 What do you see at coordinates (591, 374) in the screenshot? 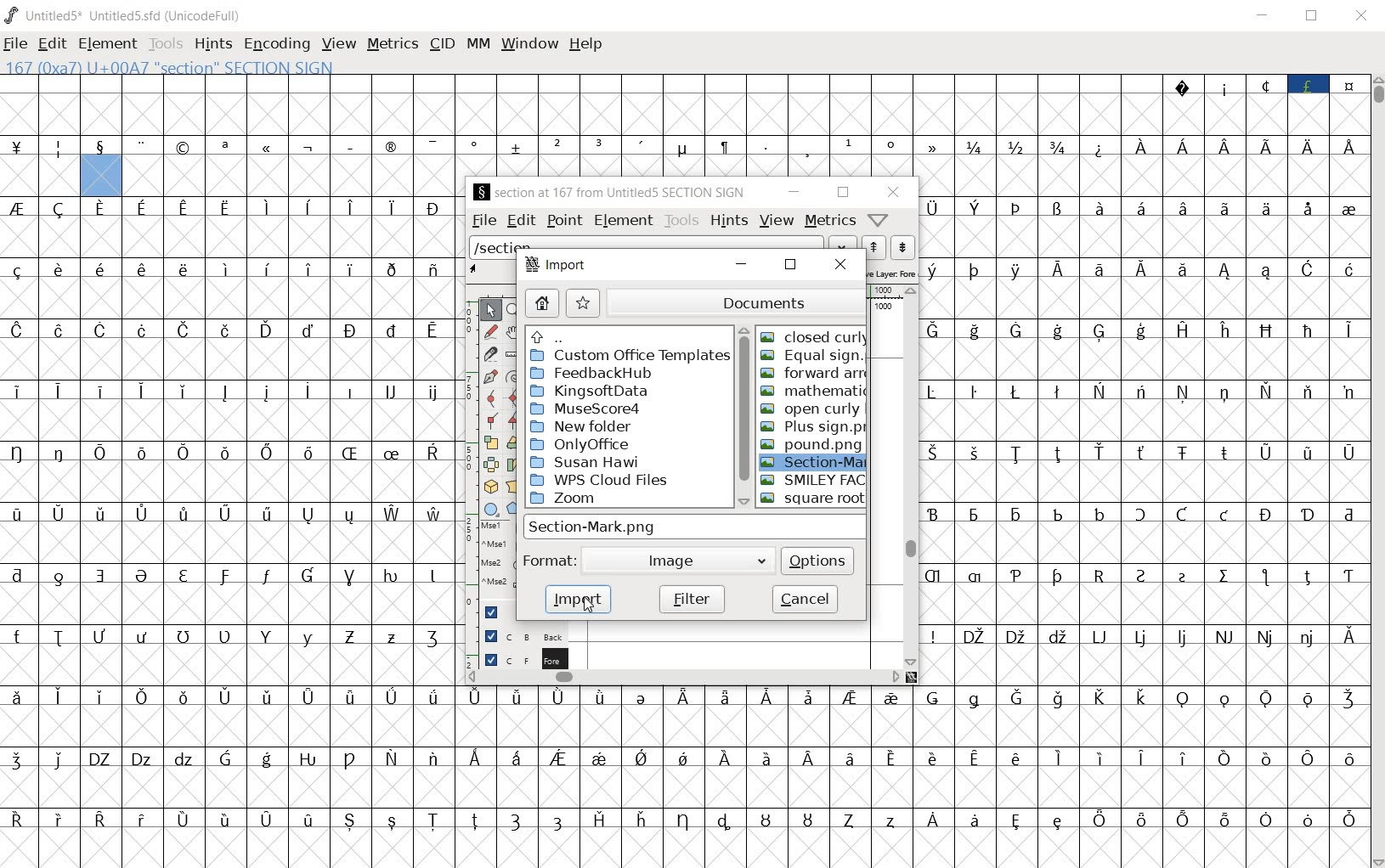
I see `Feedback Hub` at bounding box center [591, 374].